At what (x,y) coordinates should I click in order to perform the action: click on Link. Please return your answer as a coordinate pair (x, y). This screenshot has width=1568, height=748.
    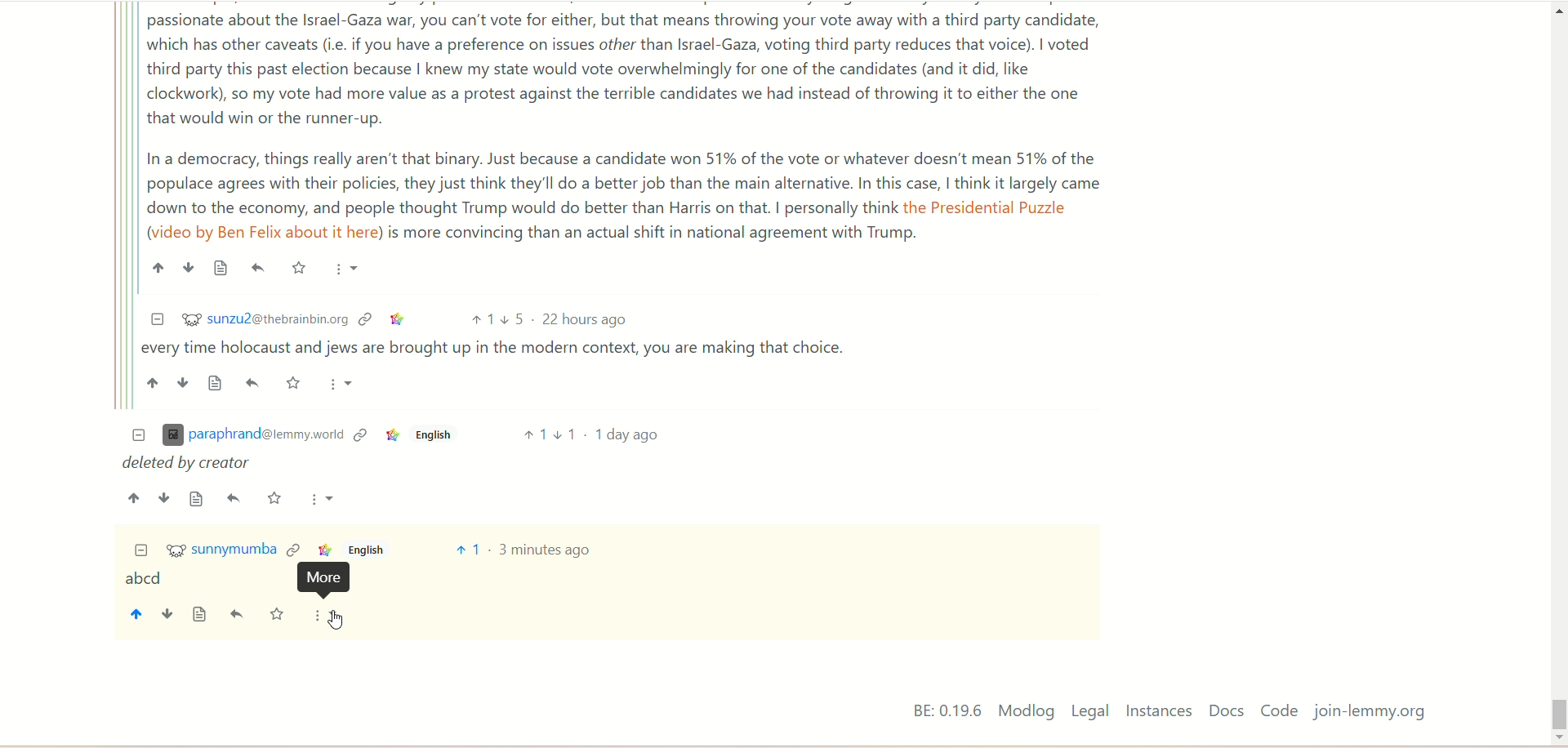
    Looking at the image, I should click on (390, 437).